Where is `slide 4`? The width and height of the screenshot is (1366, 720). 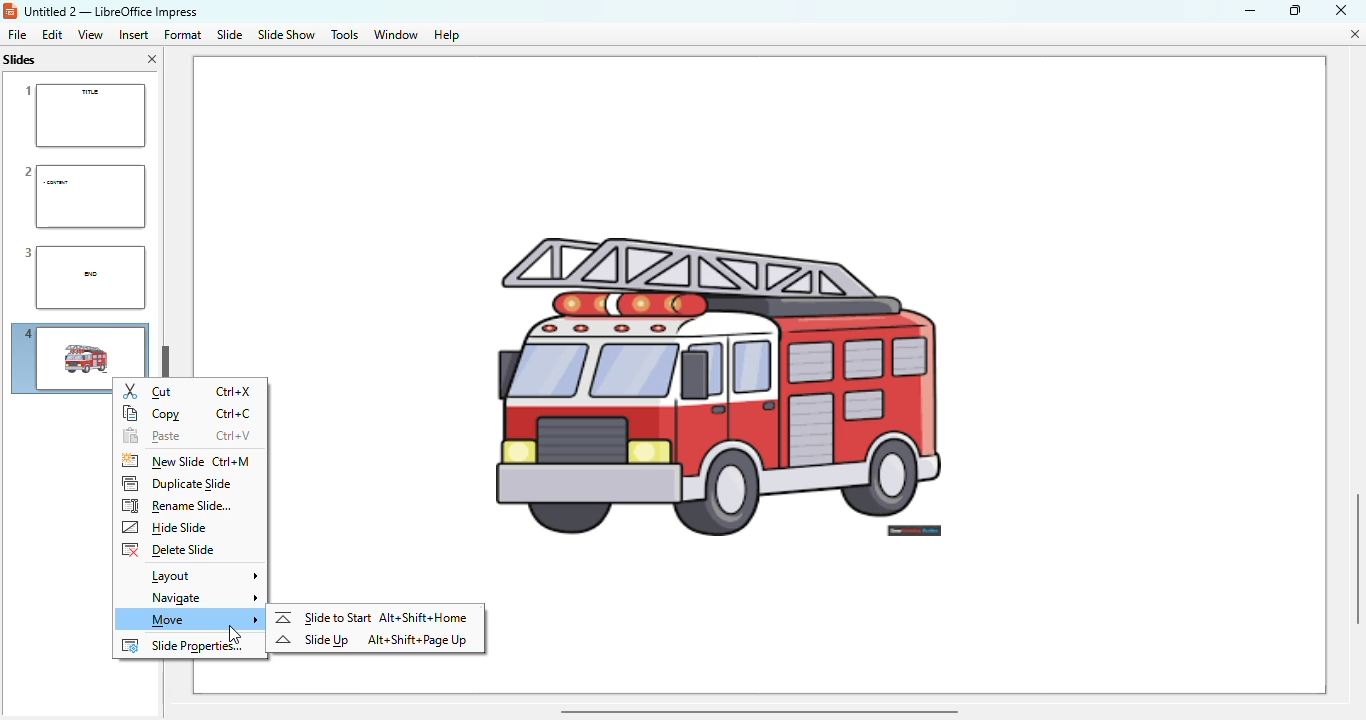
slide 4 is located at coordinates (60, 362).